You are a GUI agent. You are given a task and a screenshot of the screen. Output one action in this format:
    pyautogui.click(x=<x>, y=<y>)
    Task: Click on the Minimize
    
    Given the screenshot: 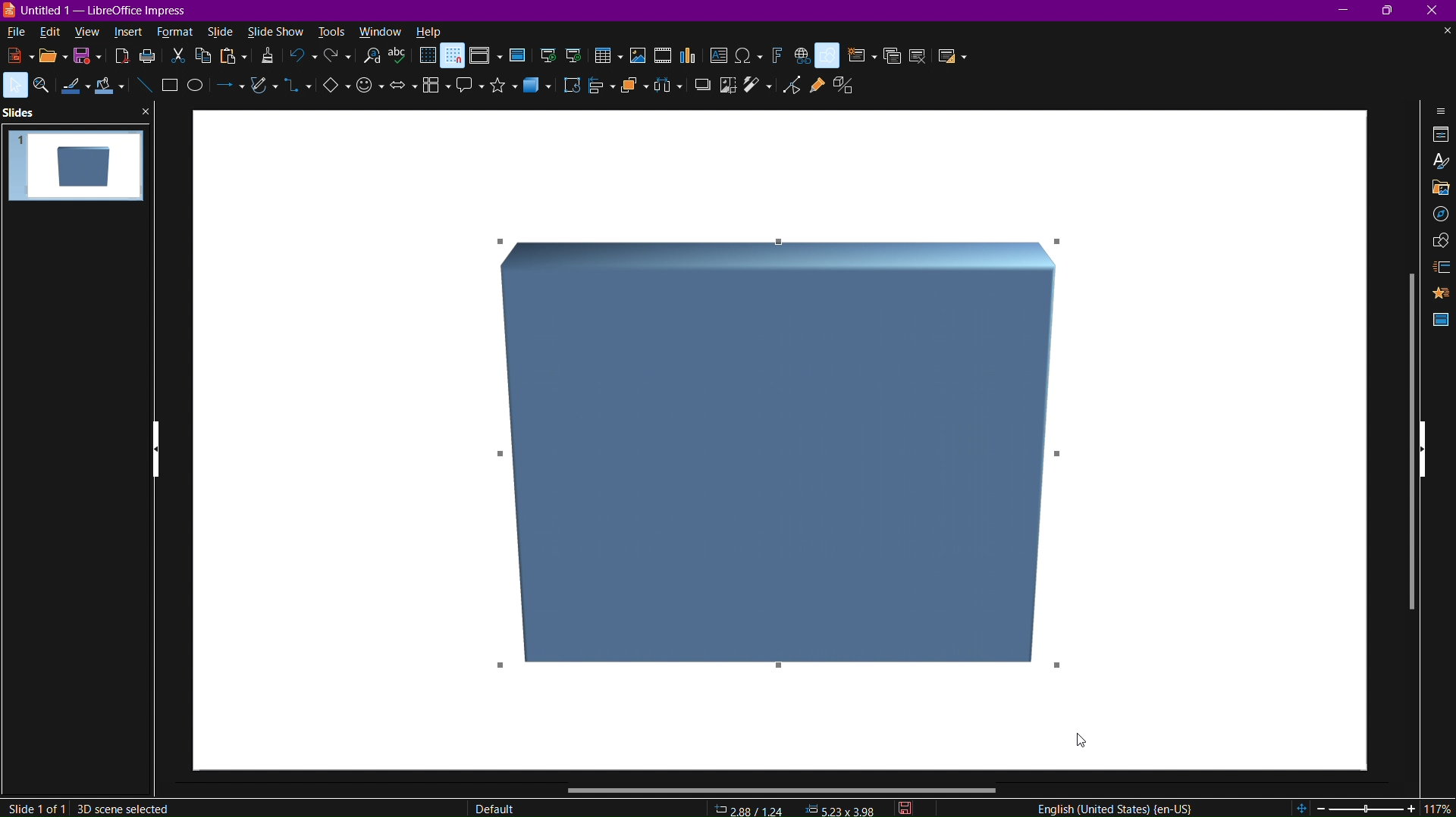 What is the action you would take?
    pyautogui.click(x=1345, y=11)
    